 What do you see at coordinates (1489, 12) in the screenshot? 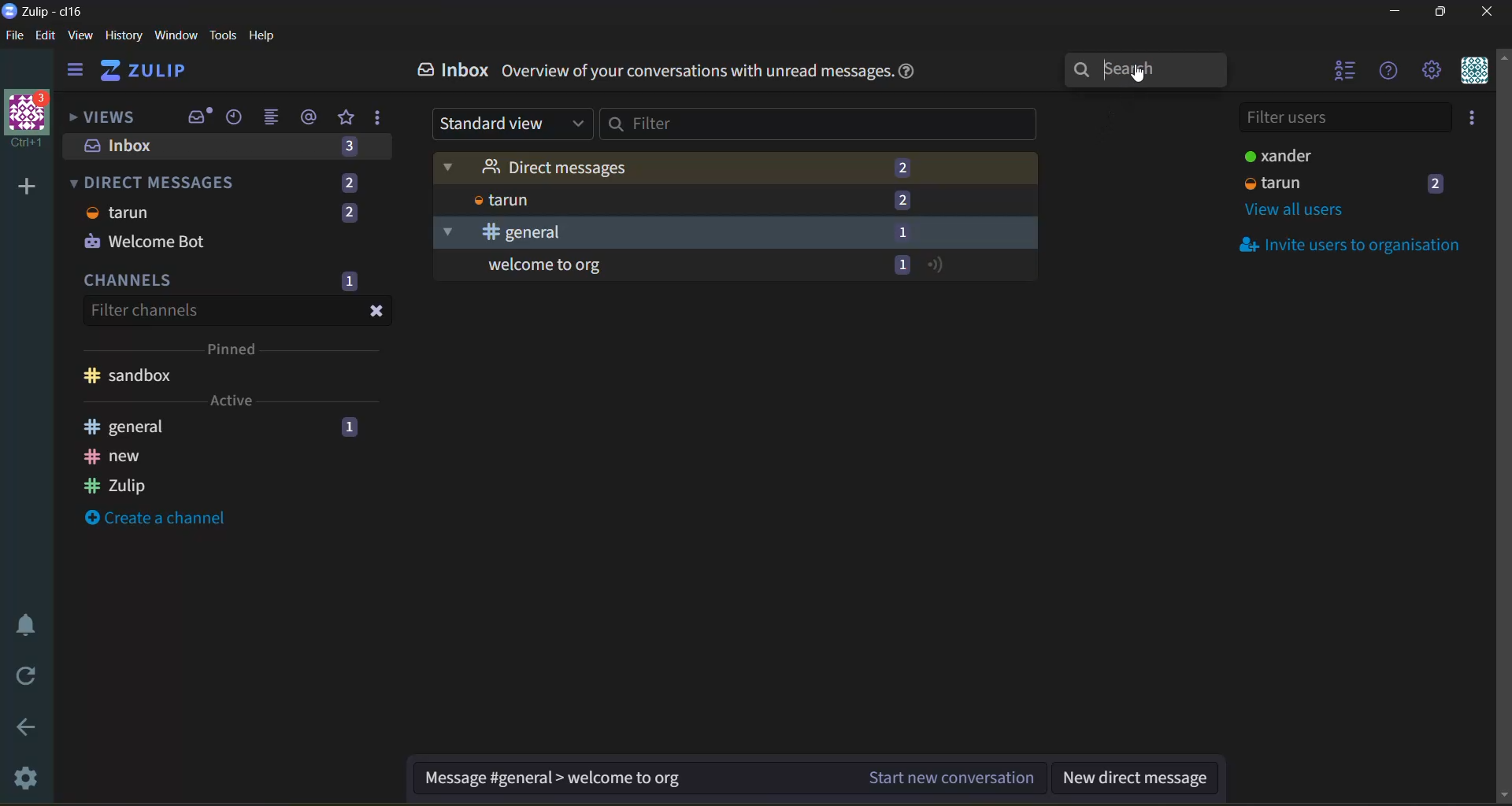
I see `close` at bounding box center [1489, 12].